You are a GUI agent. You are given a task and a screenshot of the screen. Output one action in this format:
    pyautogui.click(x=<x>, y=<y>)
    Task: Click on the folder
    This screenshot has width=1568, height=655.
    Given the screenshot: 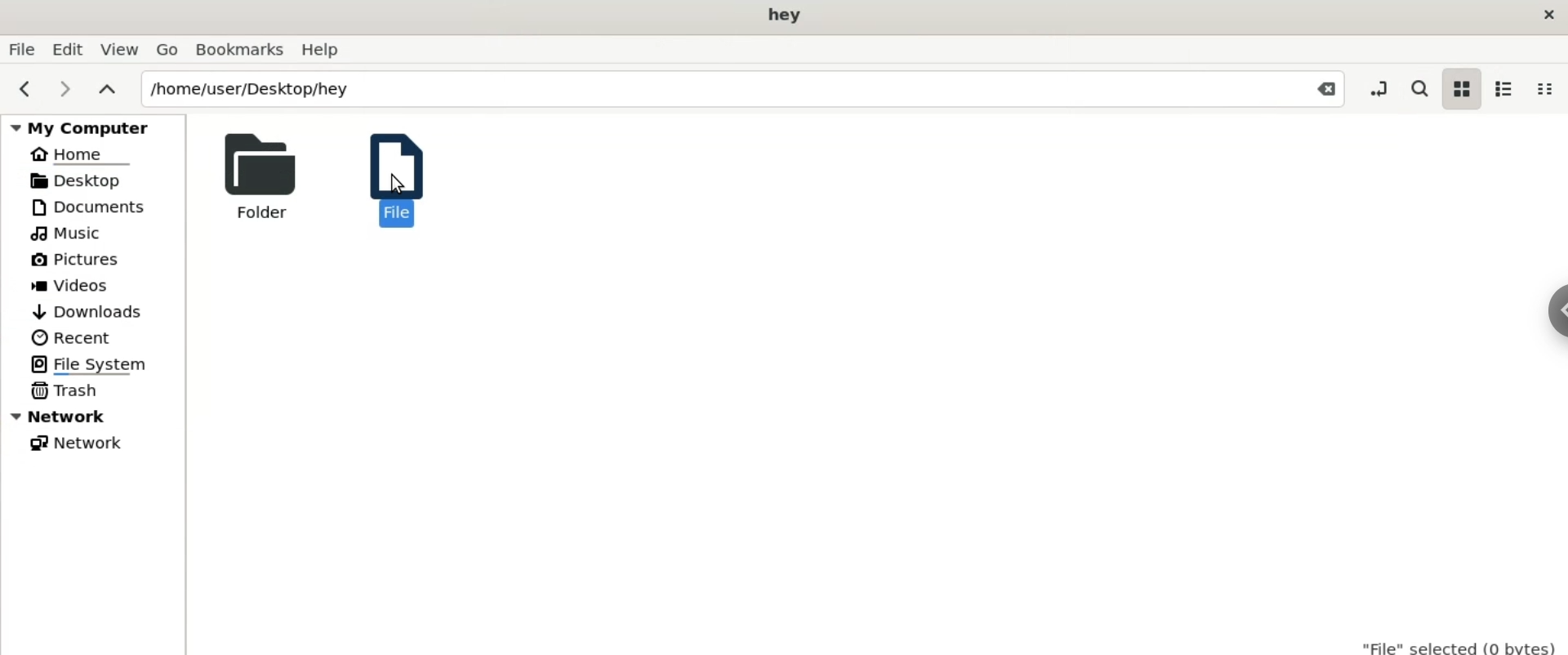 What is the action you would take?
    pyautogui.click(x=252, y=176)
    